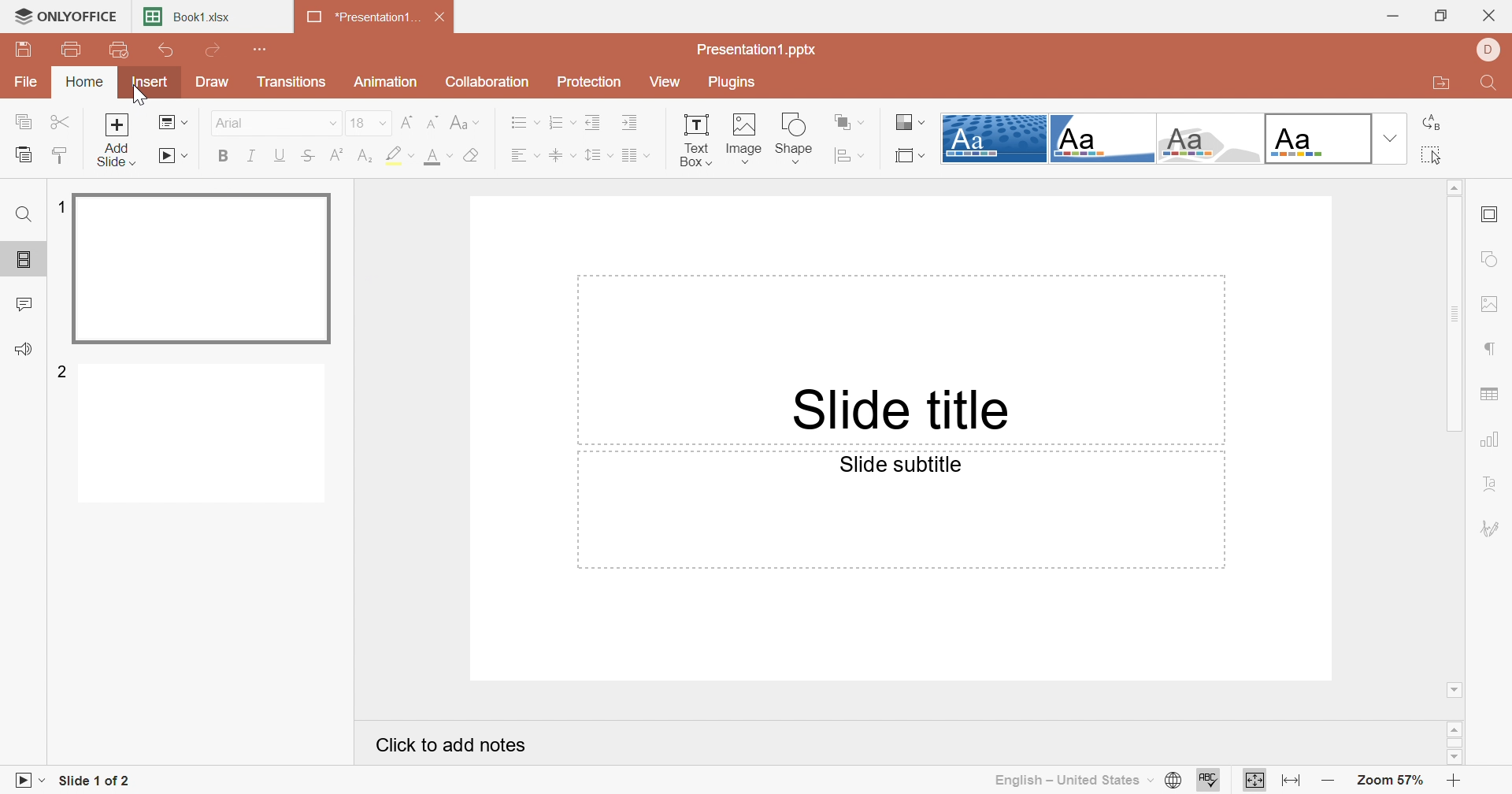 The width and height of the screenshot is (1512, 794). What do you see at coordinates (591, 123) in the screenshot?
I see `Decrease Indent` at bounding box center [591, 123].